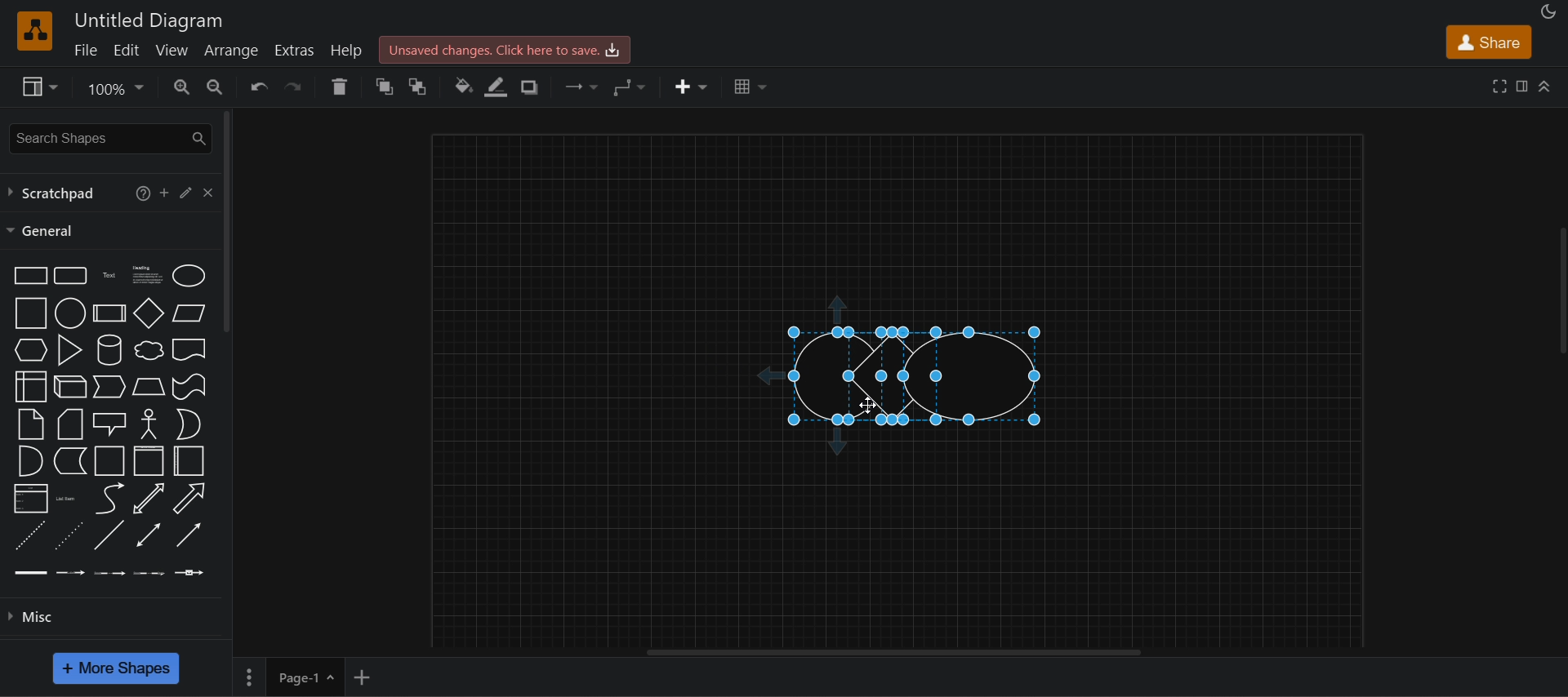 Image resolution: width=1568 pixels, height=697 pixels. What do you see at coordinates (69, 274) in the screenshot?
I see `rounded rectangle` at bounding box center [69, 274].